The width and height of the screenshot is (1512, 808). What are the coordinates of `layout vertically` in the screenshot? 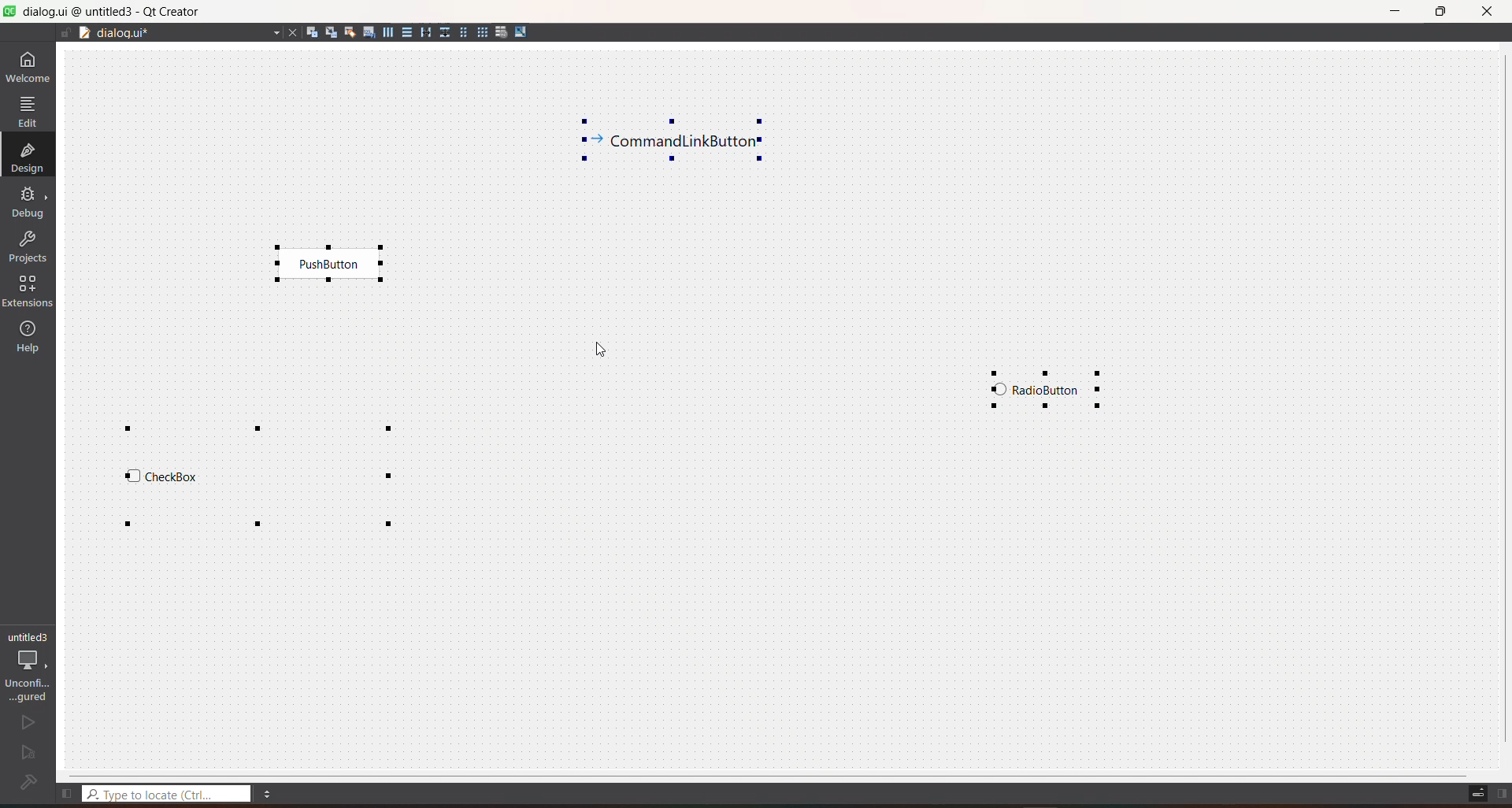 It's located at (404, 32).